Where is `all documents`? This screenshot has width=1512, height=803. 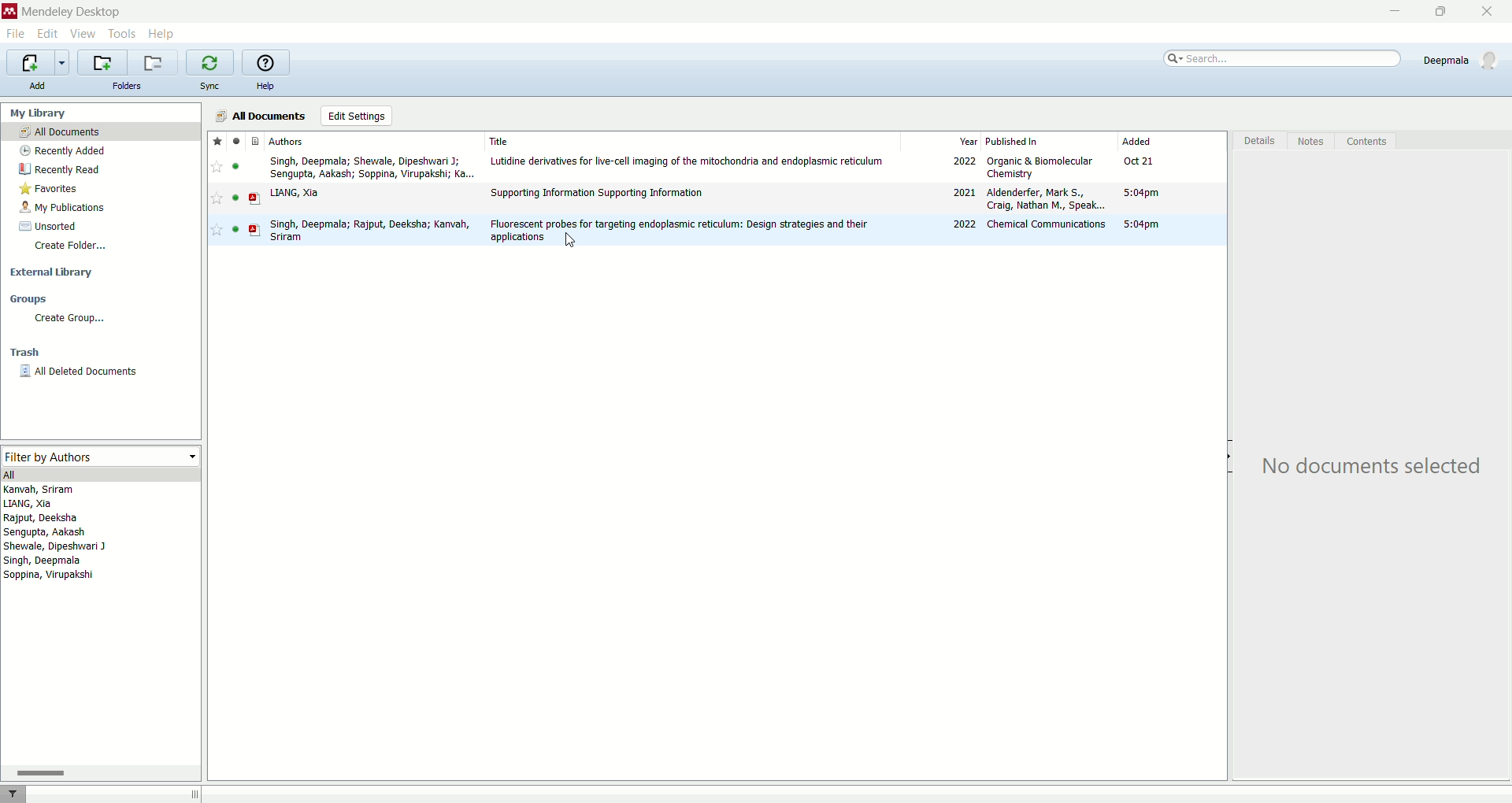
all documents is located at coordinates (261, 114).